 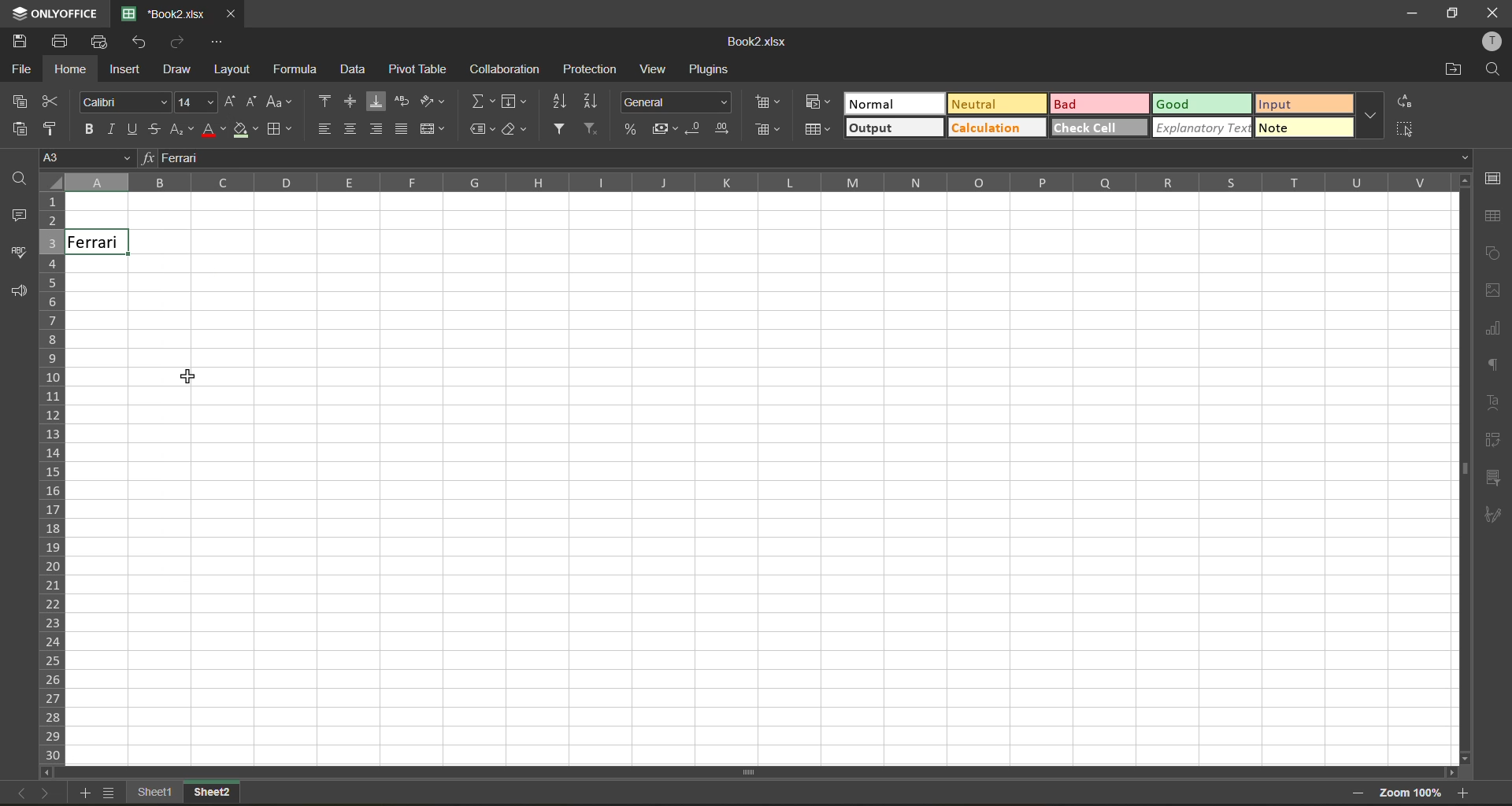 What do you see at coordinates (1493, 253) in the screenshot?
I see `shapes` at bounding box center [1493, 253].